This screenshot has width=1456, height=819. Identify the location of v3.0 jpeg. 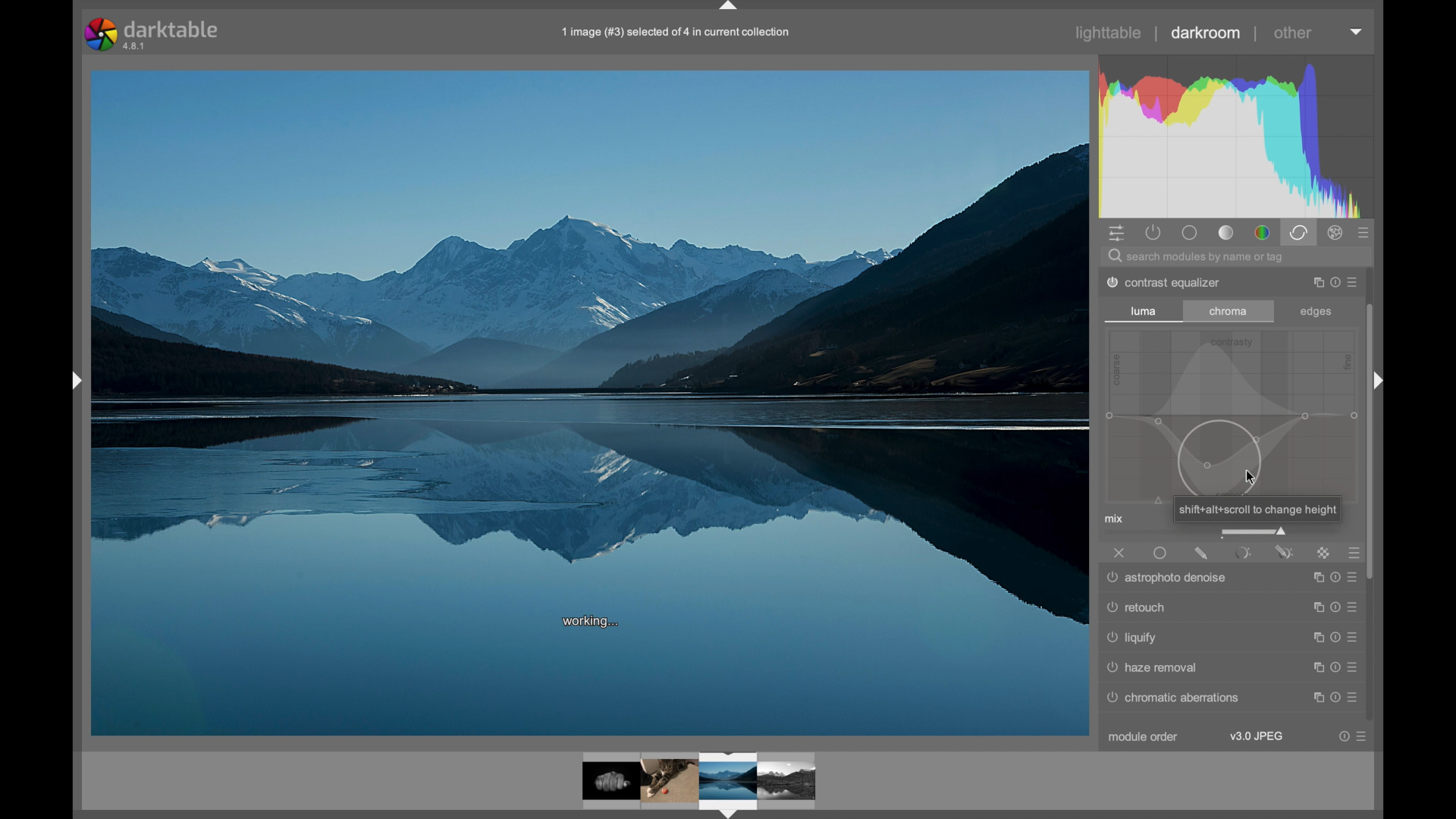
(1257, 736).